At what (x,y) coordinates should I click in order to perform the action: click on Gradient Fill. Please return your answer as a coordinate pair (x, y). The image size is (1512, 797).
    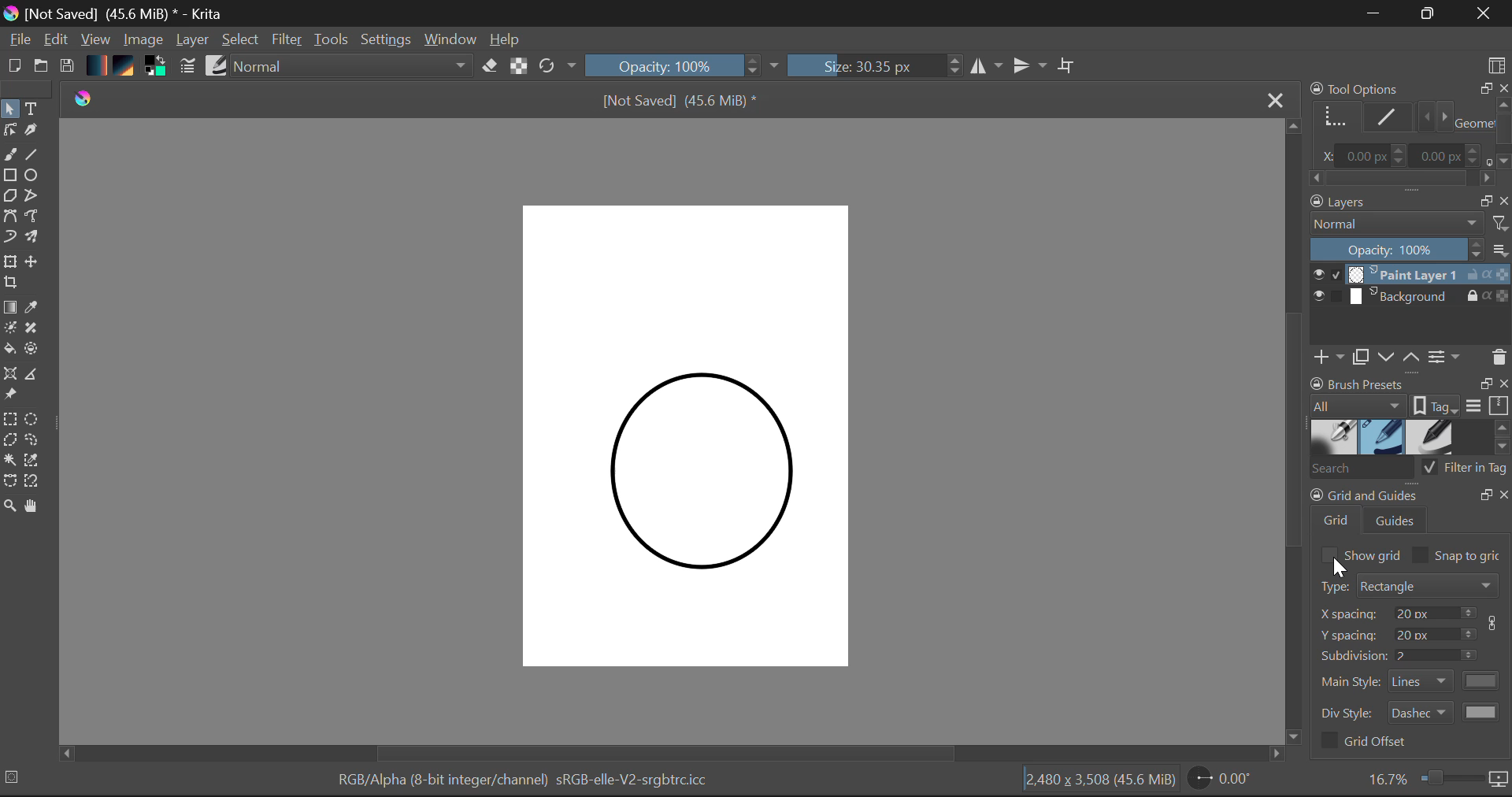
    Looking at the image, I should click on (10, 306).